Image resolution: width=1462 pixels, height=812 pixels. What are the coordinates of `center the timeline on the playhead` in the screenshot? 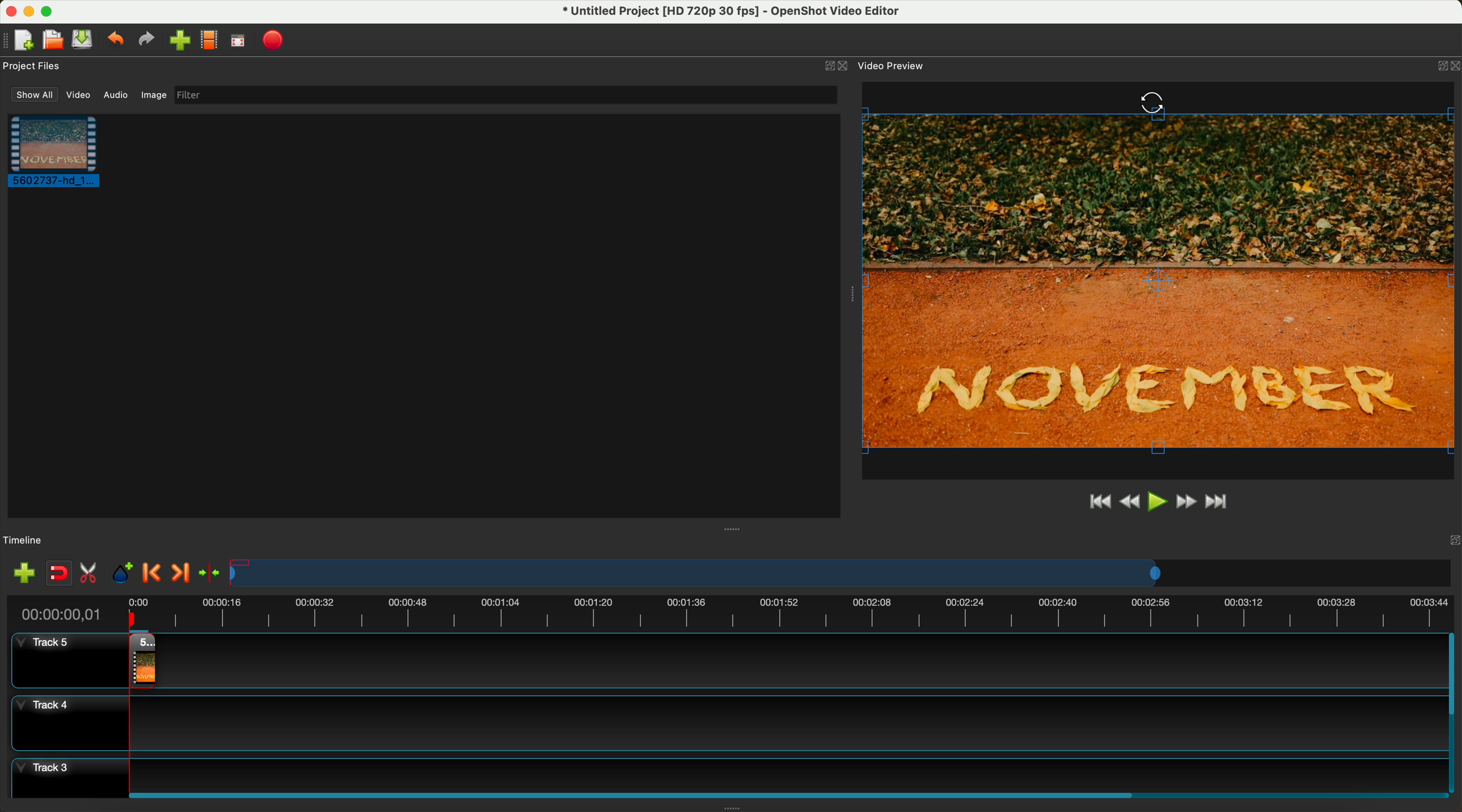 It's located at (216, 573).